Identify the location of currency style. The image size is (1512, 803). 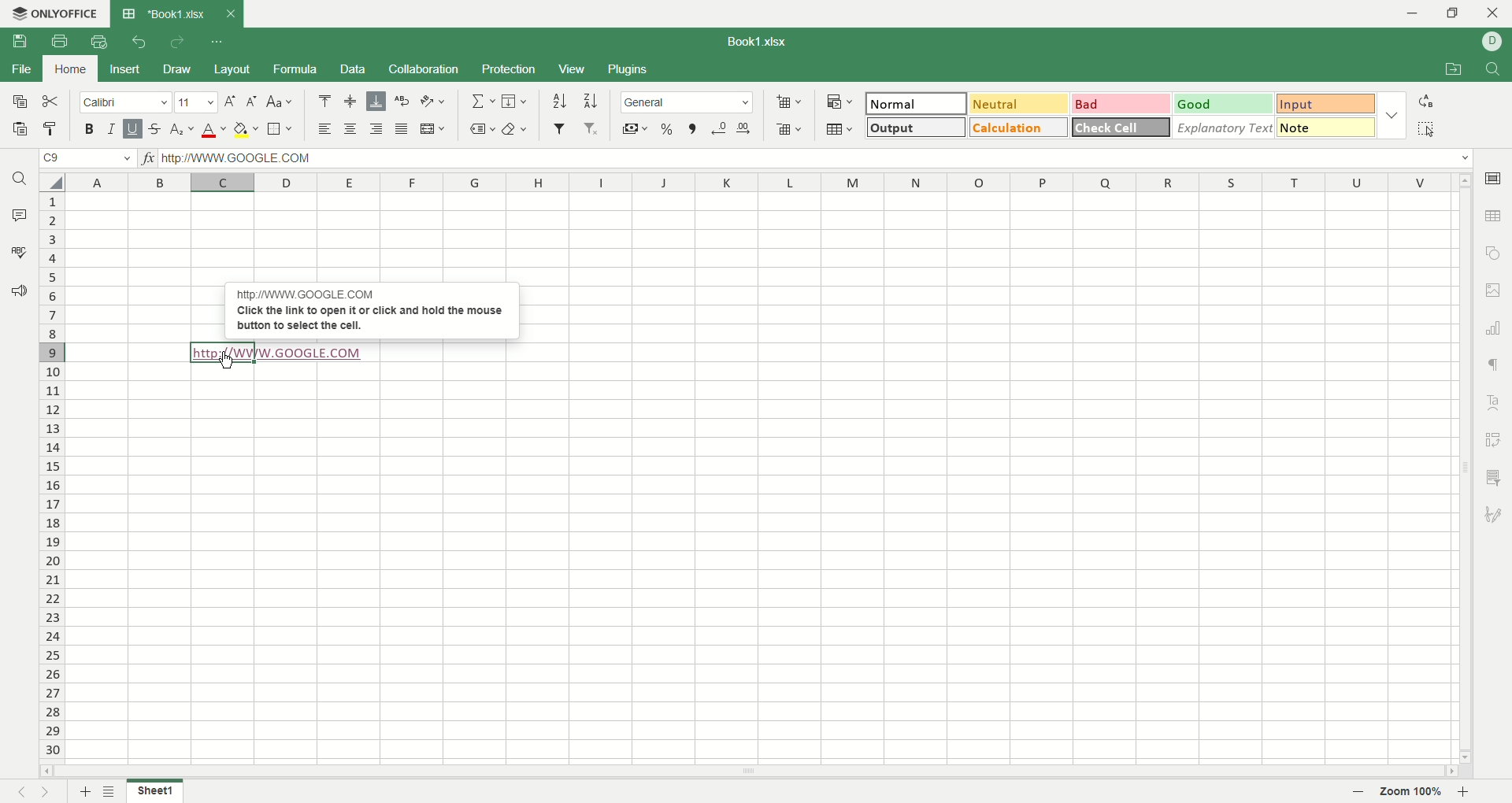
(632, 130).